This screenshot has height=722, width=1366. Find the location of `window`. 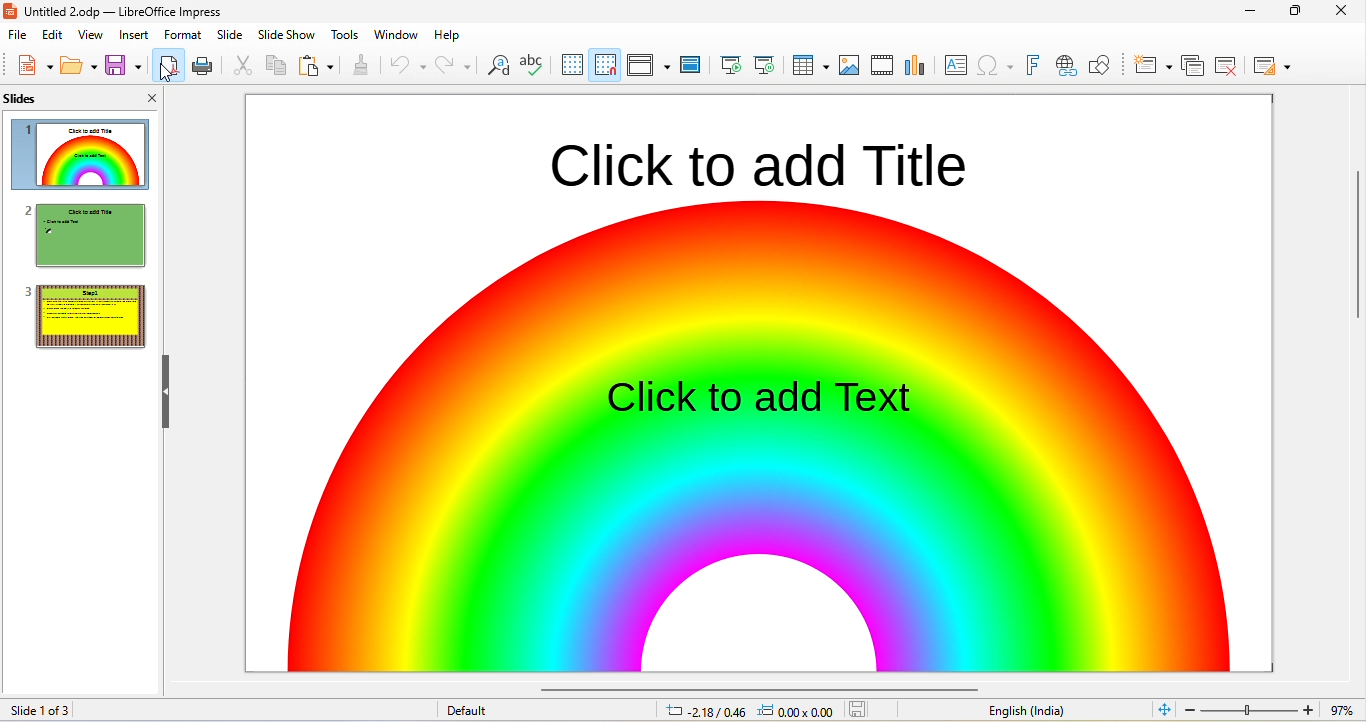

window is located at coordinates (395, 33).